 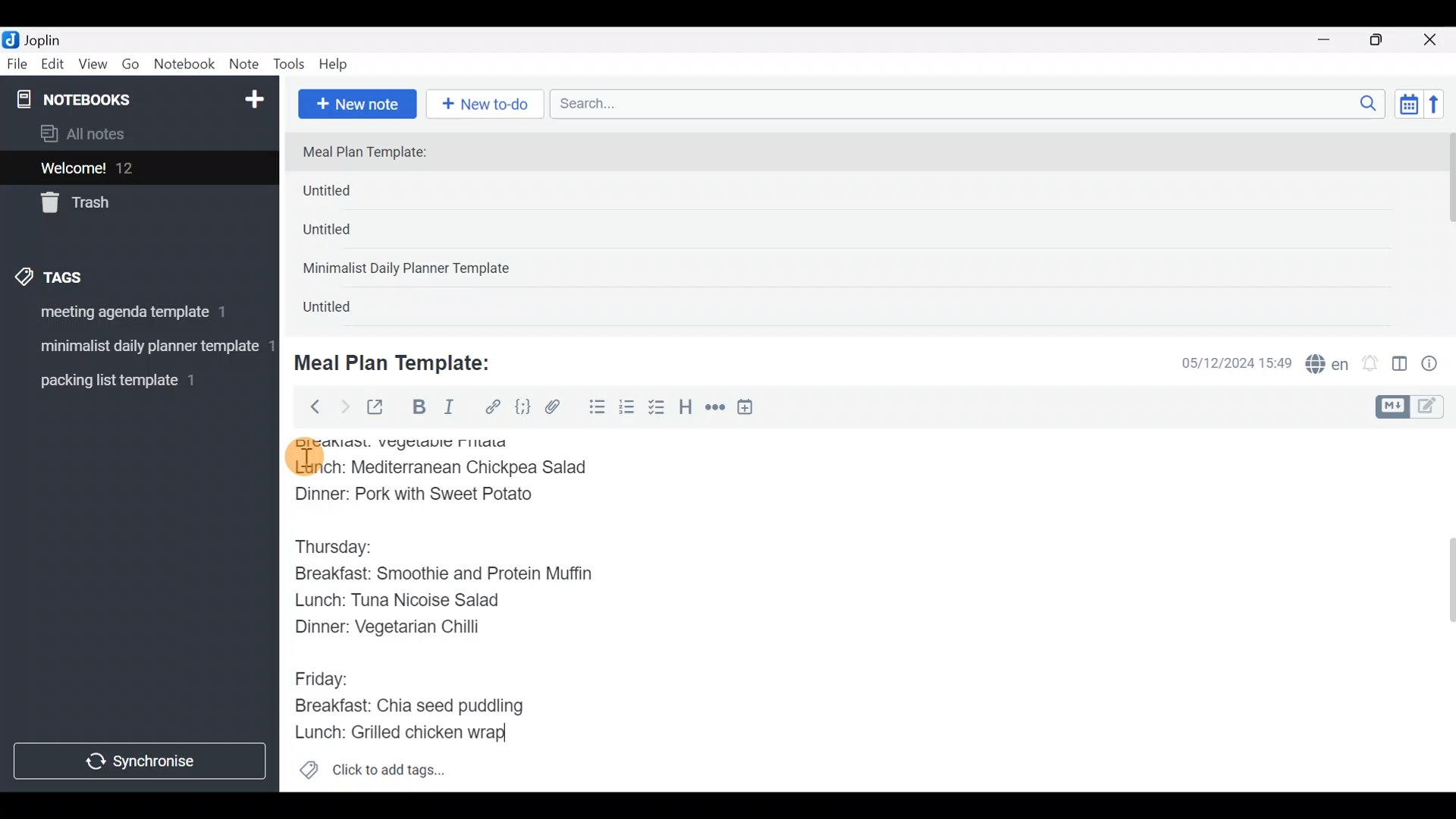 I want to click on Bulleted list, so click(x=594, y=408).